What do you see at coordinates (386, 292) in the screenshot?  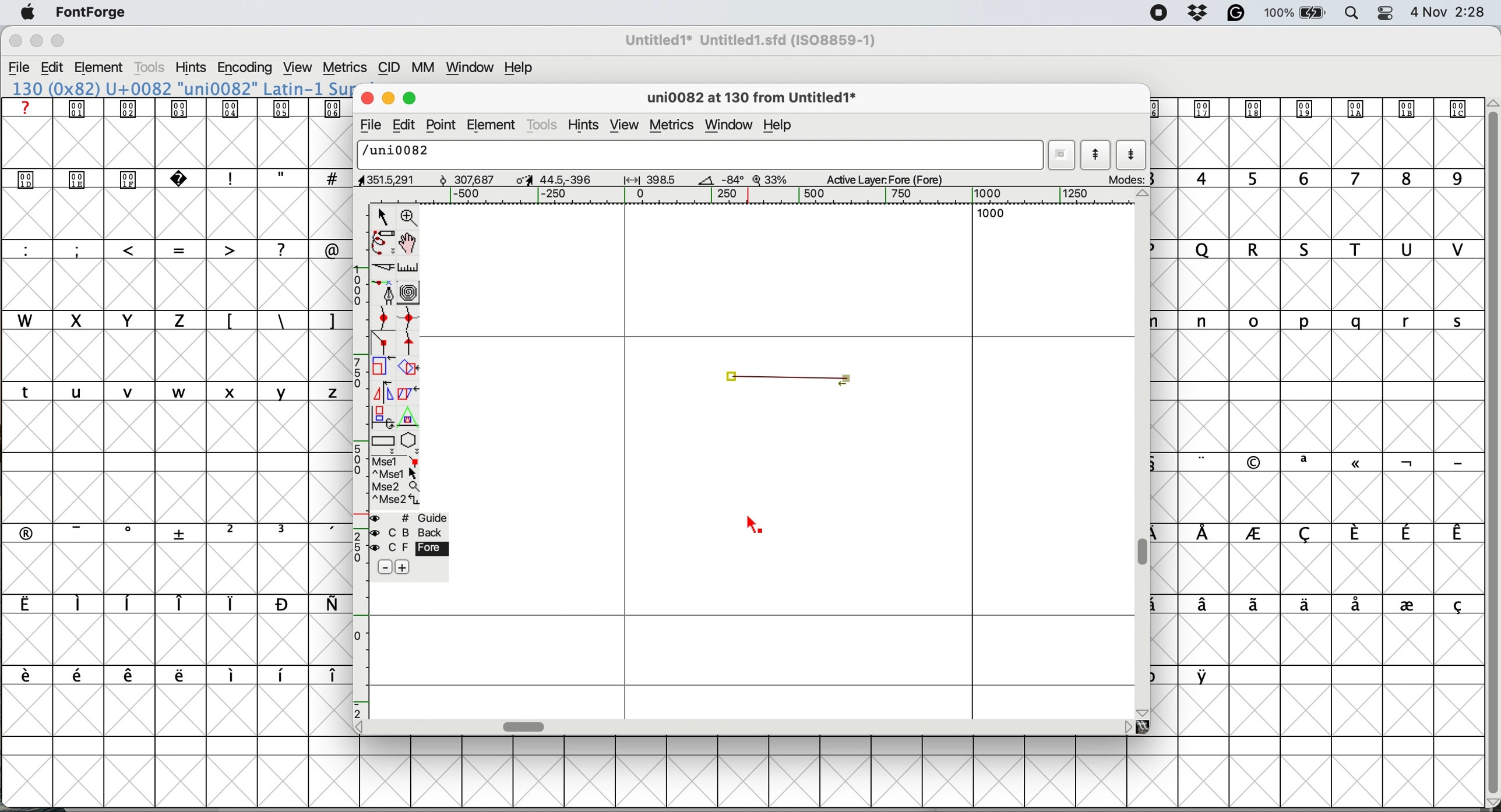 I see `add a point and drag out its control points` at bounding box center [386, 292].